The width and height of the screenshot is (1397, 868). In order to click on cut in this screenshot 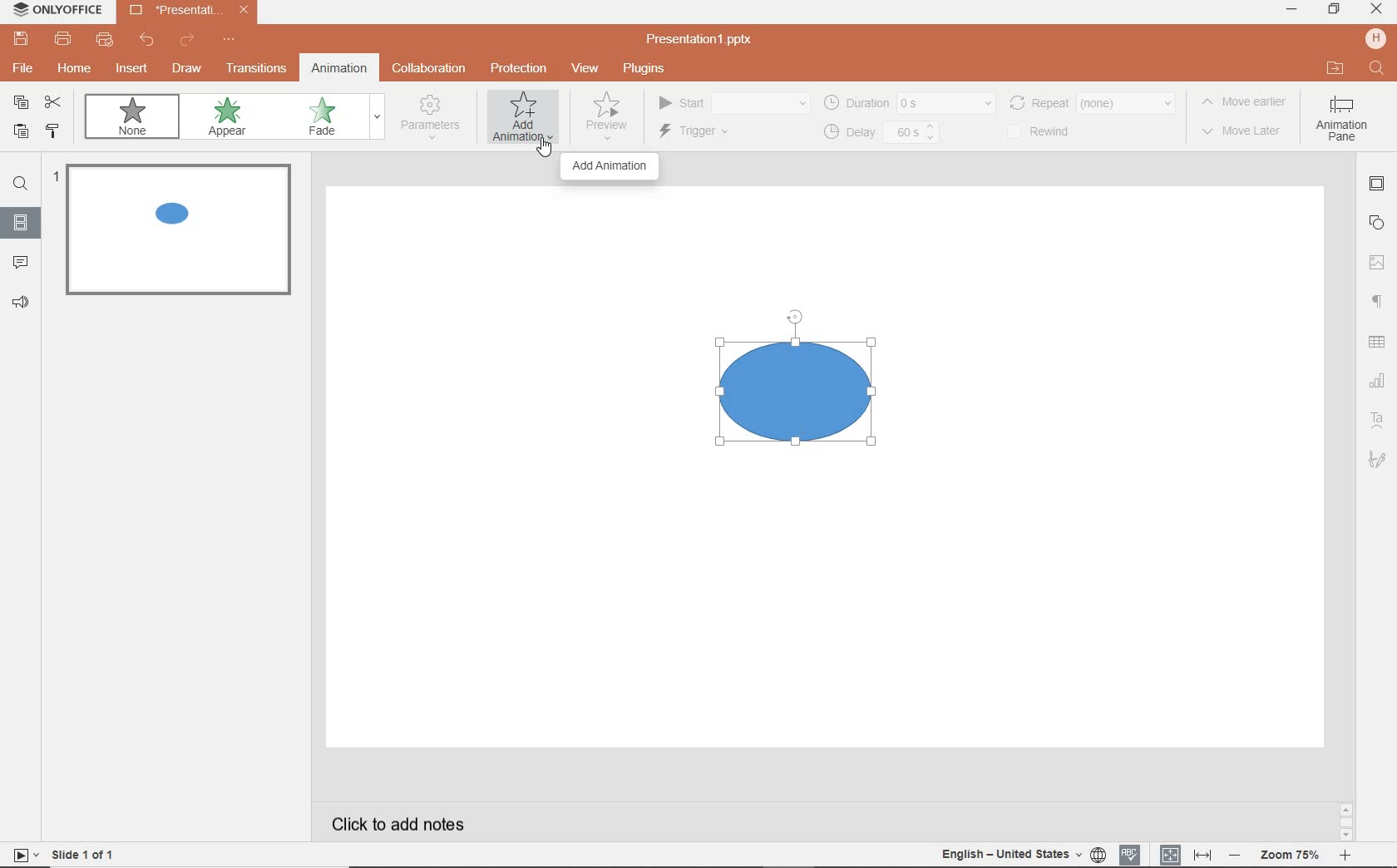, I will do `click(57, 103)`.